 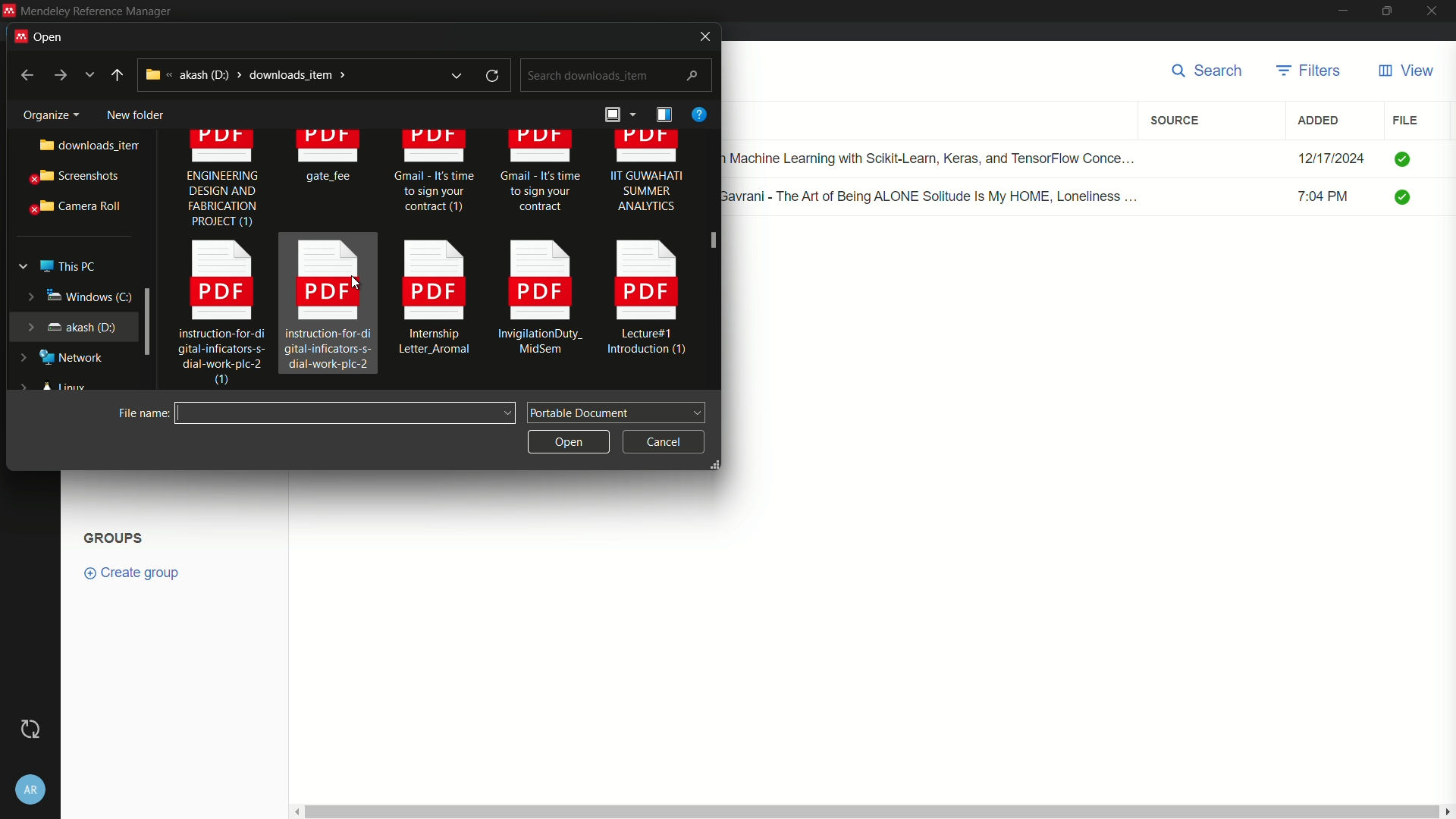 I want to click on added, so click(x=1319, y=121).